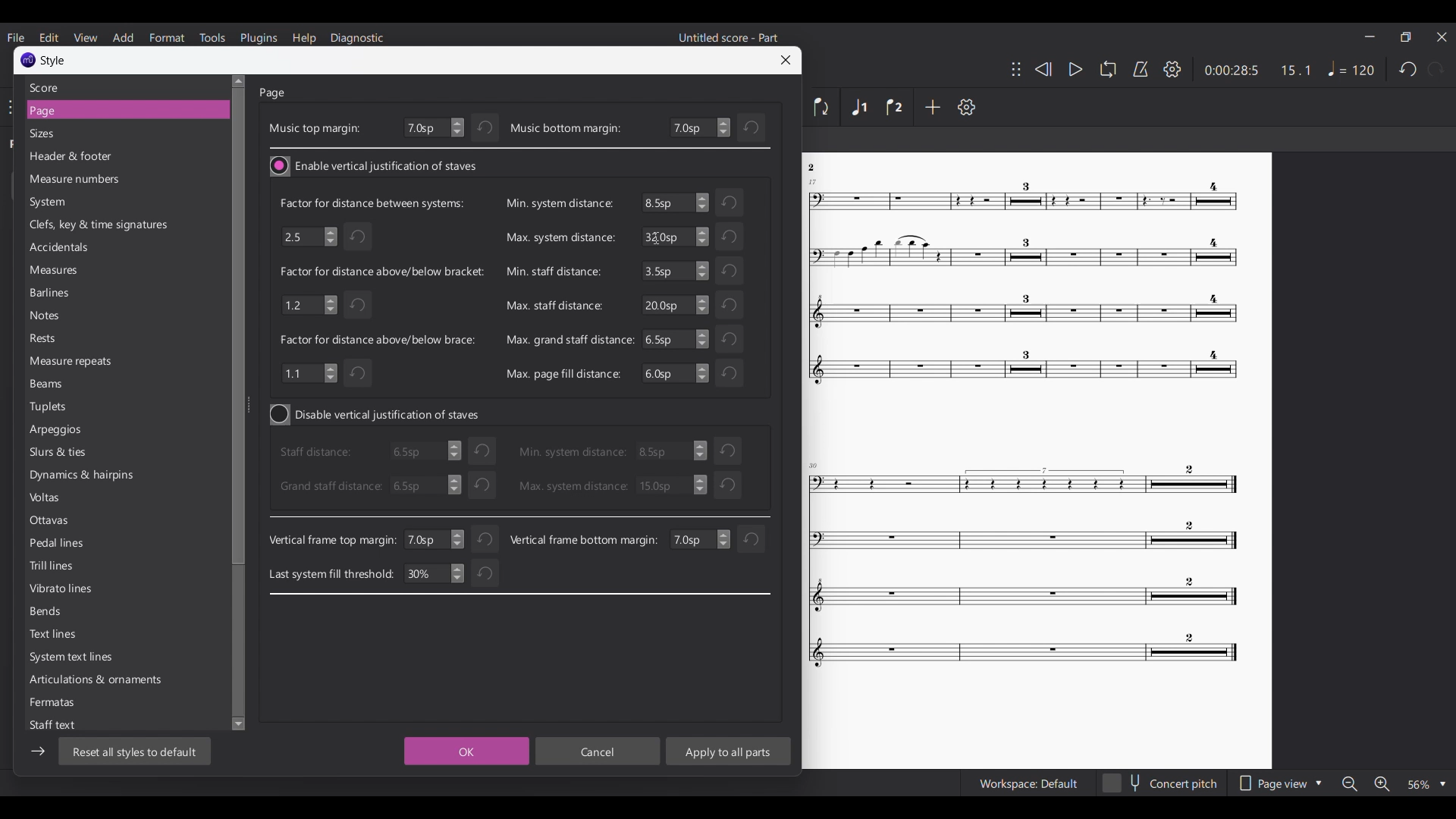  What do you see at coordinates (74, 361) in the screenshot?
I see `Measure repeats` at bounding box center [74, 361].